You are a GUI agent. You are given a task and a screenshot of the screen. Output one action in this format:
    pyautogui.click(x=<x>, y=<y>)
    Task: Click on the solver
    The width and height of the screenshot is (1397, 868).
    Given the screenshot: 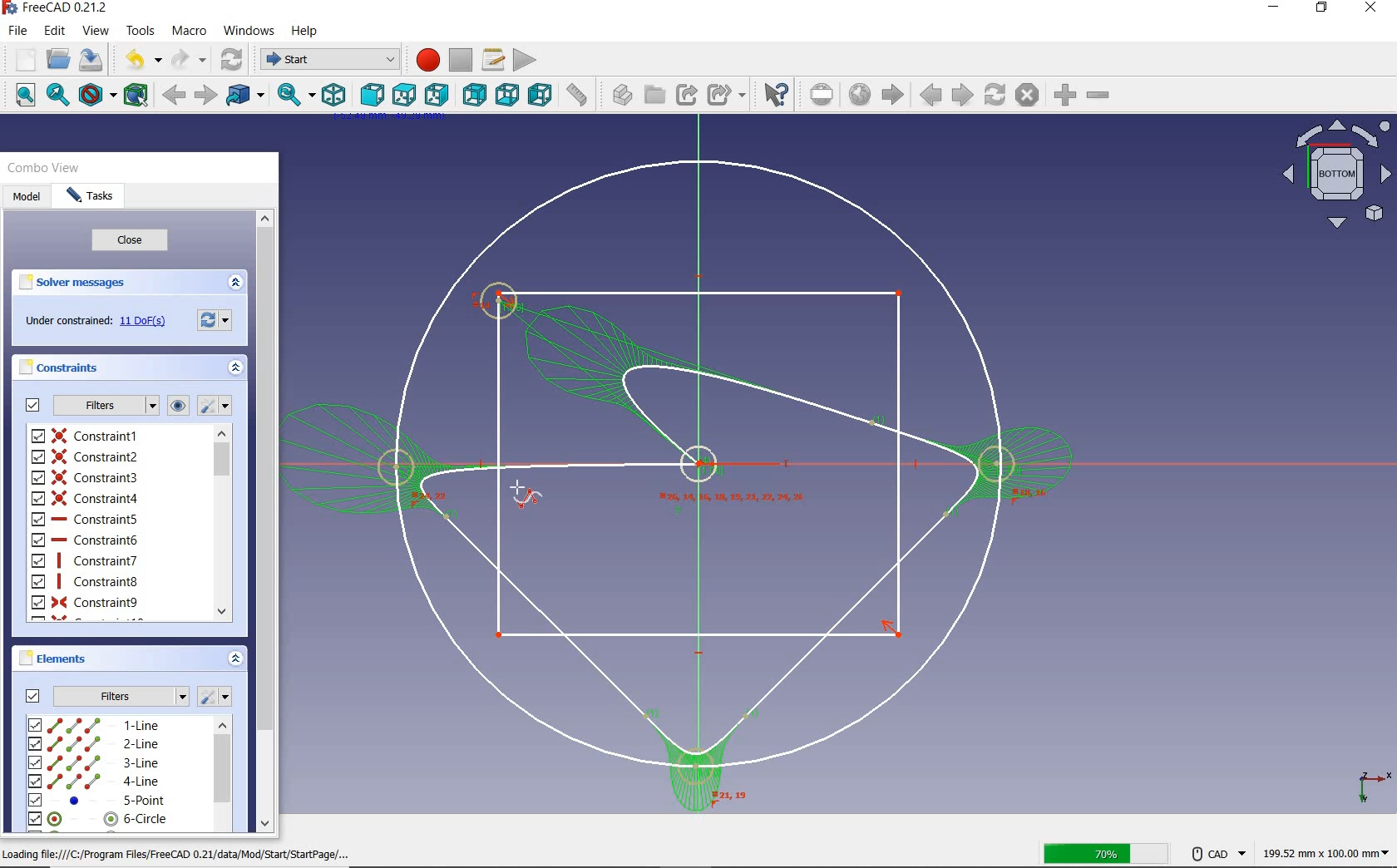 What is the action you would take?
    pyautogui.click(x=77, y=280)
    